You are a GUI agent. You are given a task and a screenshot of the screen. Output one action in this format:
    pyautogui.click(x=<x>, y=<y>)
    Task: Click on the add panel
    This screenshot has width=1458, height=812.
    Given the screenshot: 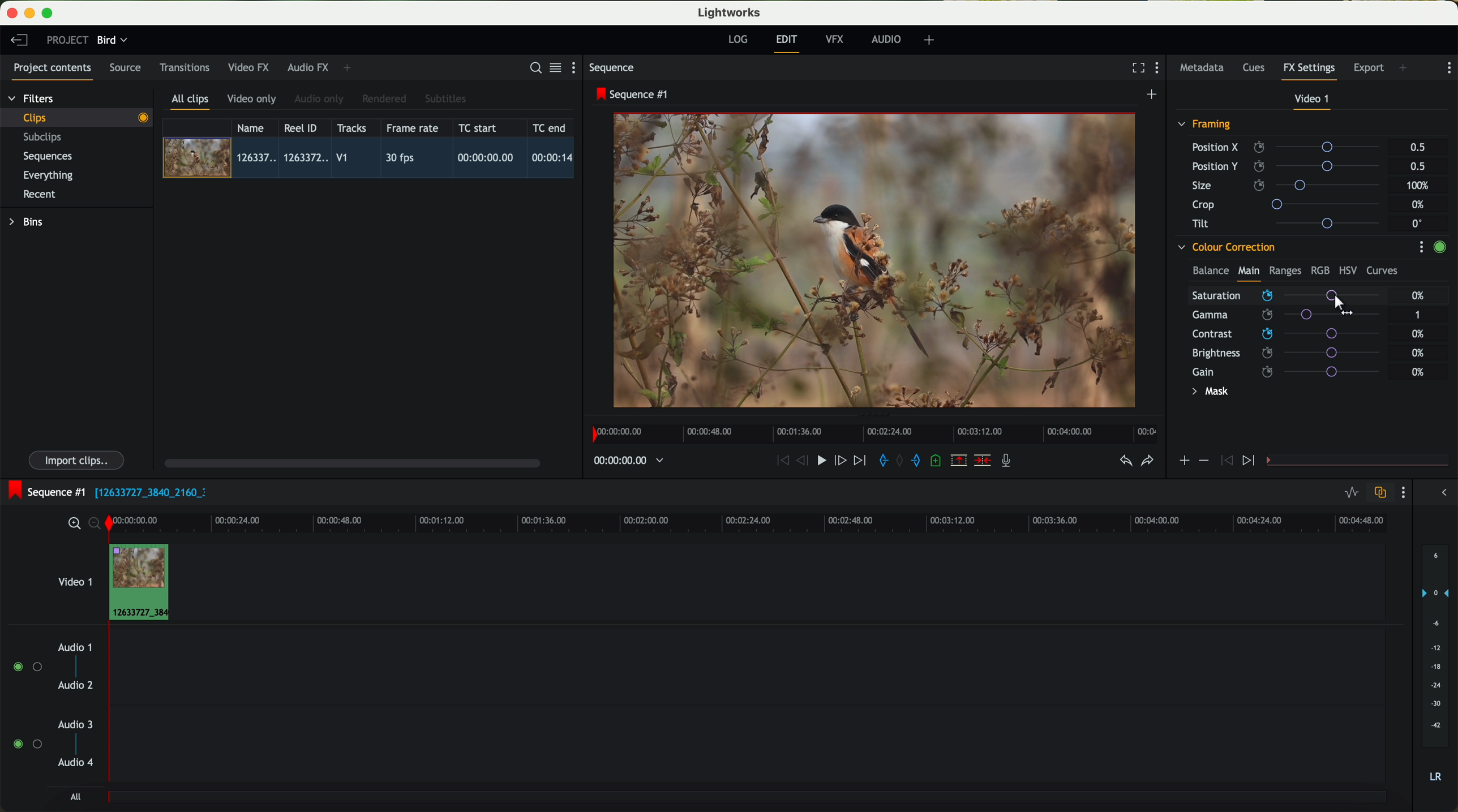 What is the action you would take?
    pyautogui.click(x=1406, y=69)
    